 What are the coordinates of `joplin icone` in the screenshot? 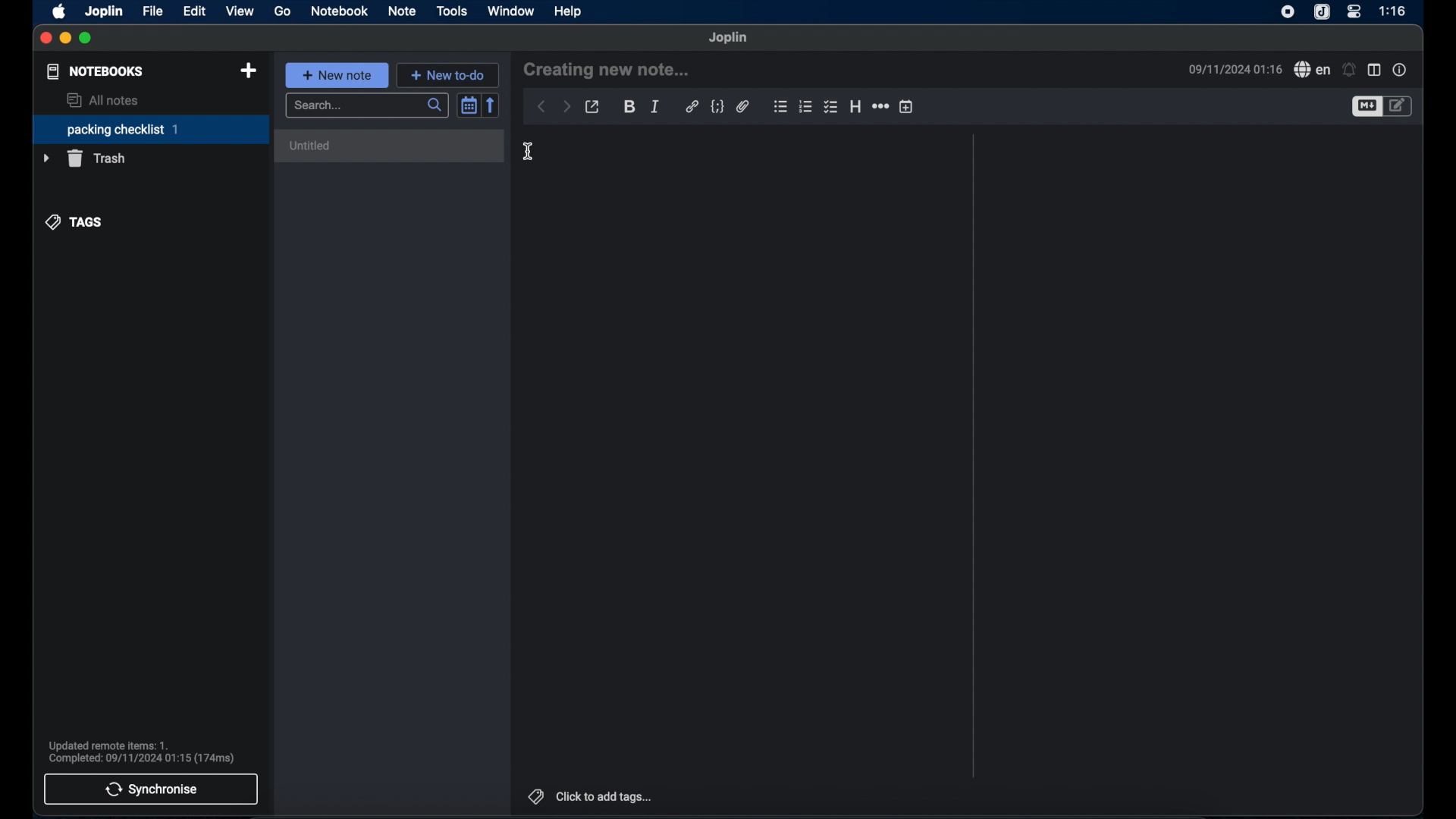 It's located at (1322, 12).